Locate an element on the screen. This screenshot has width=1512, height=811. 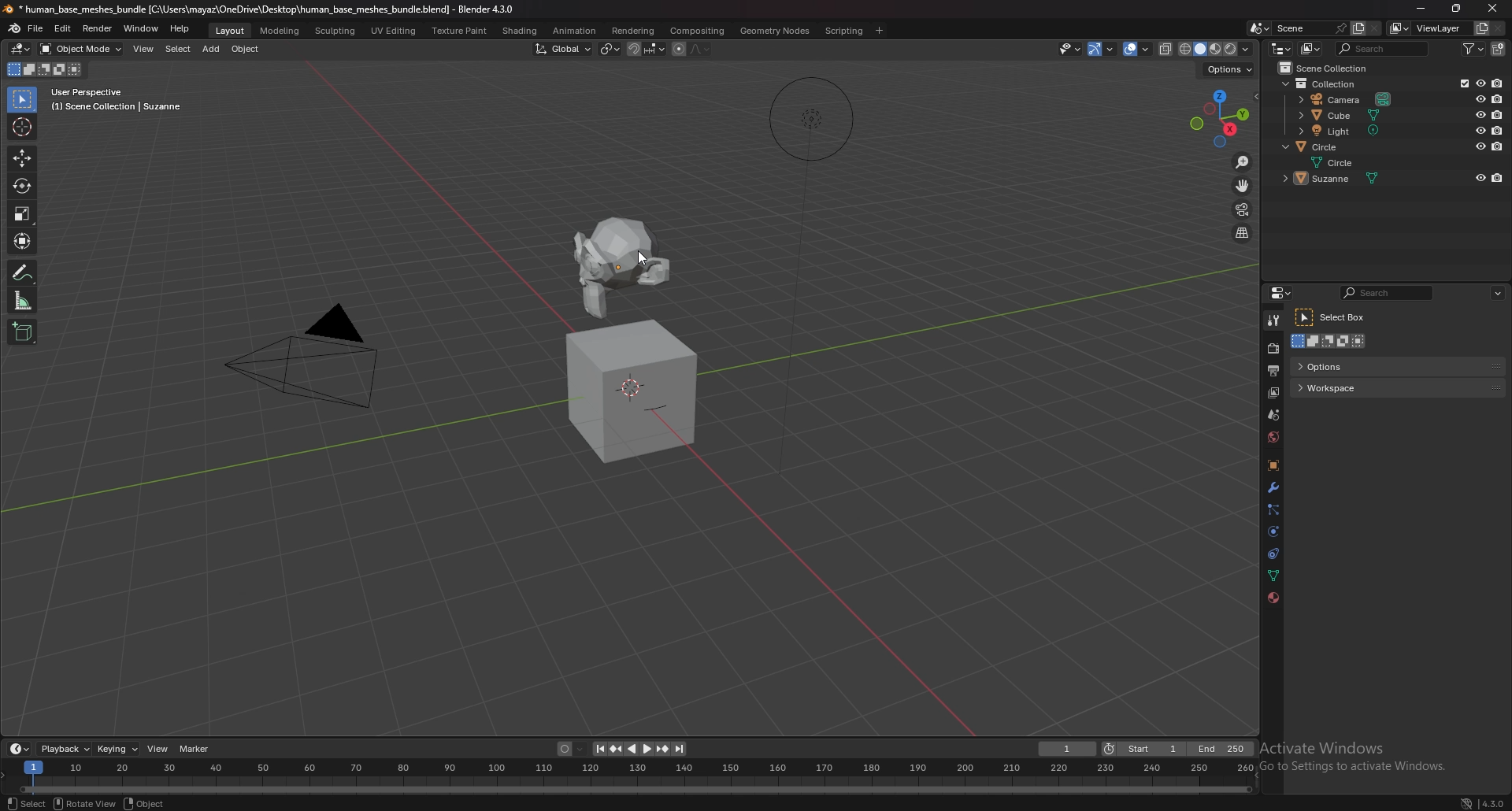
seek is located at coordinates (629, 777).